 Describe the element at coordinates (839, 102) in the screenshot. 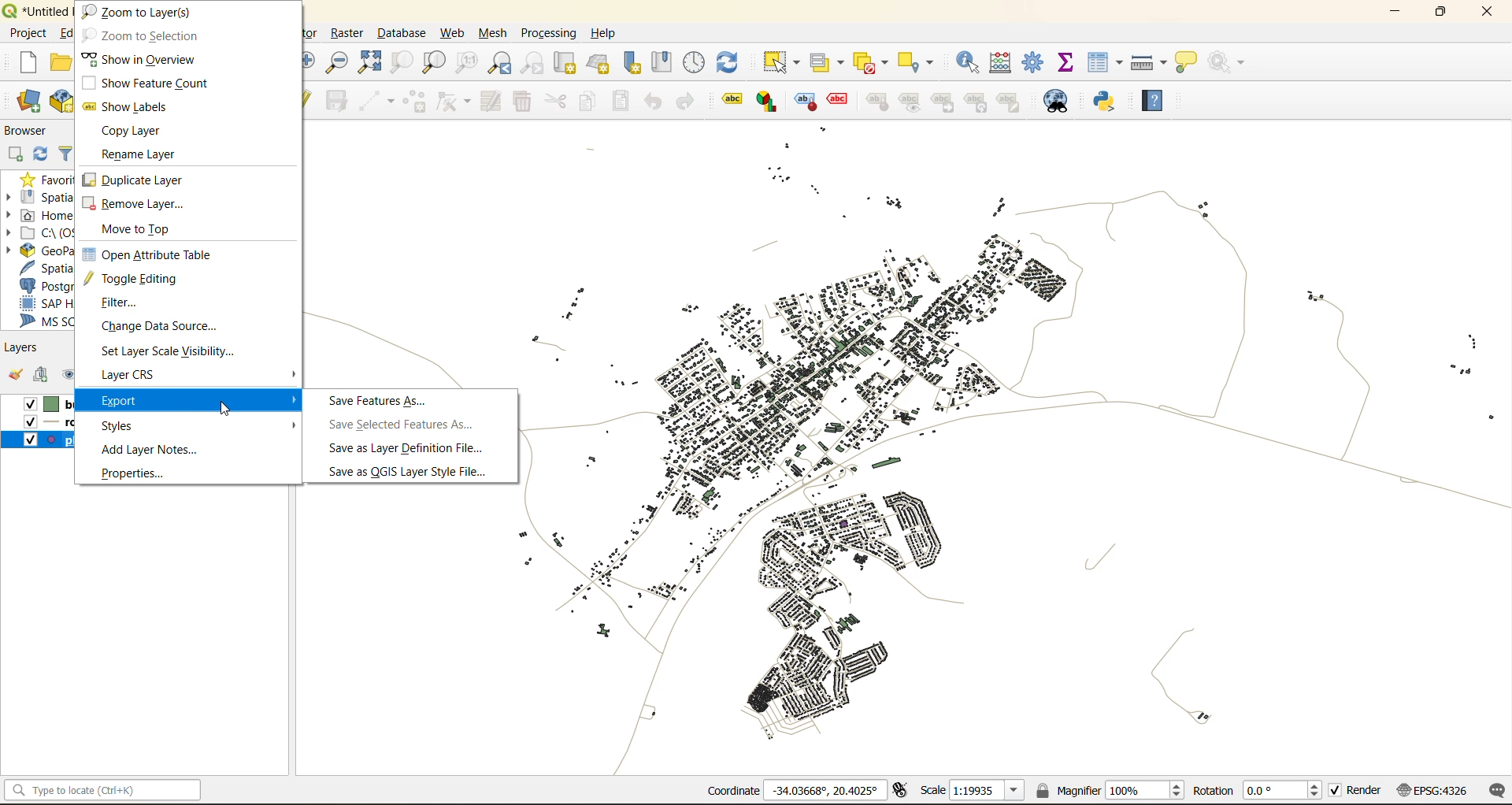

I see `toggle display of unplaced` at that location.